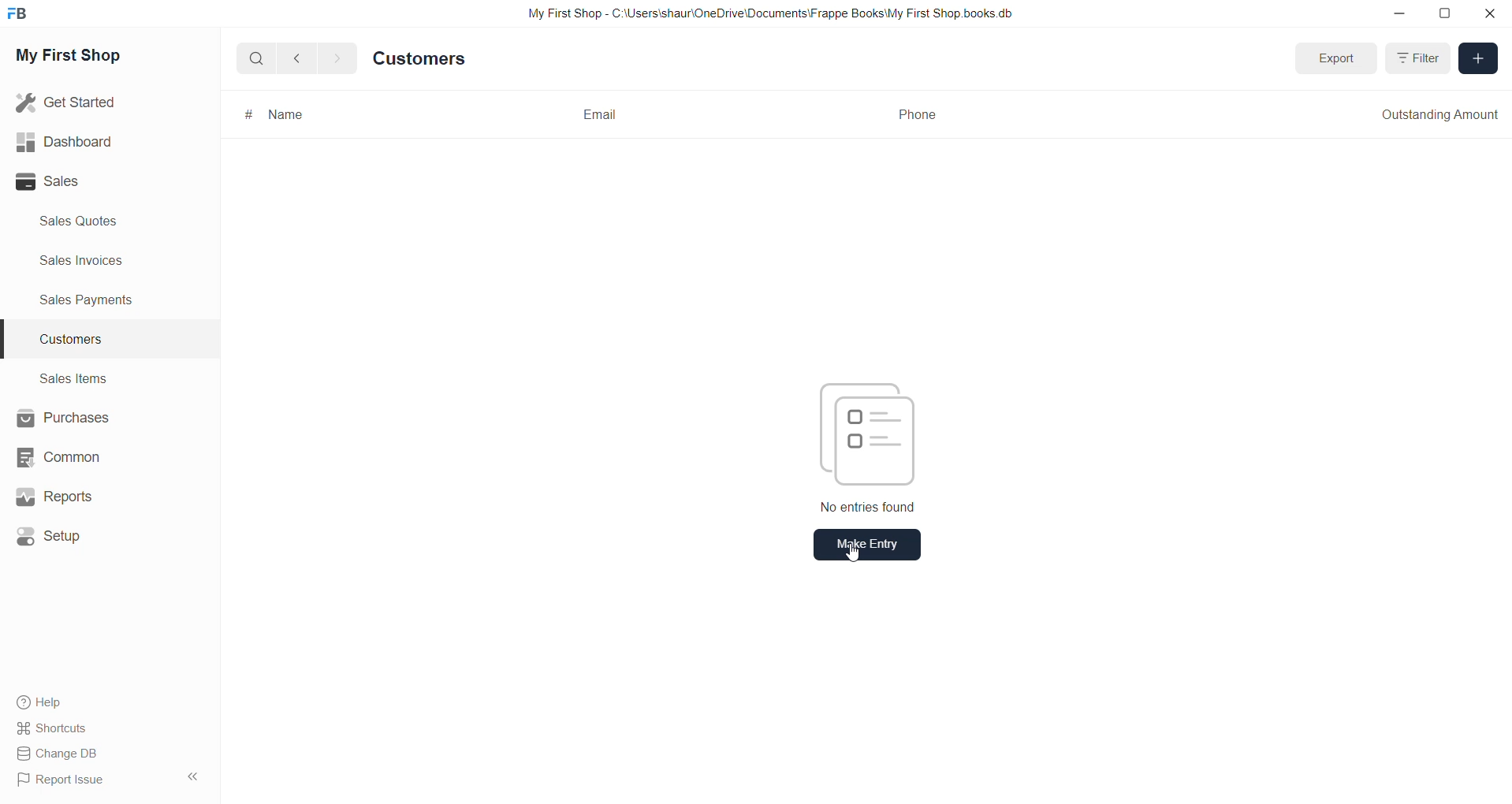 The image size is (1512, 804). What do you see at coordinates (1438, 114) in the screenshot?
I see `Outstanding Amount` at bounding box center [1438, 114].